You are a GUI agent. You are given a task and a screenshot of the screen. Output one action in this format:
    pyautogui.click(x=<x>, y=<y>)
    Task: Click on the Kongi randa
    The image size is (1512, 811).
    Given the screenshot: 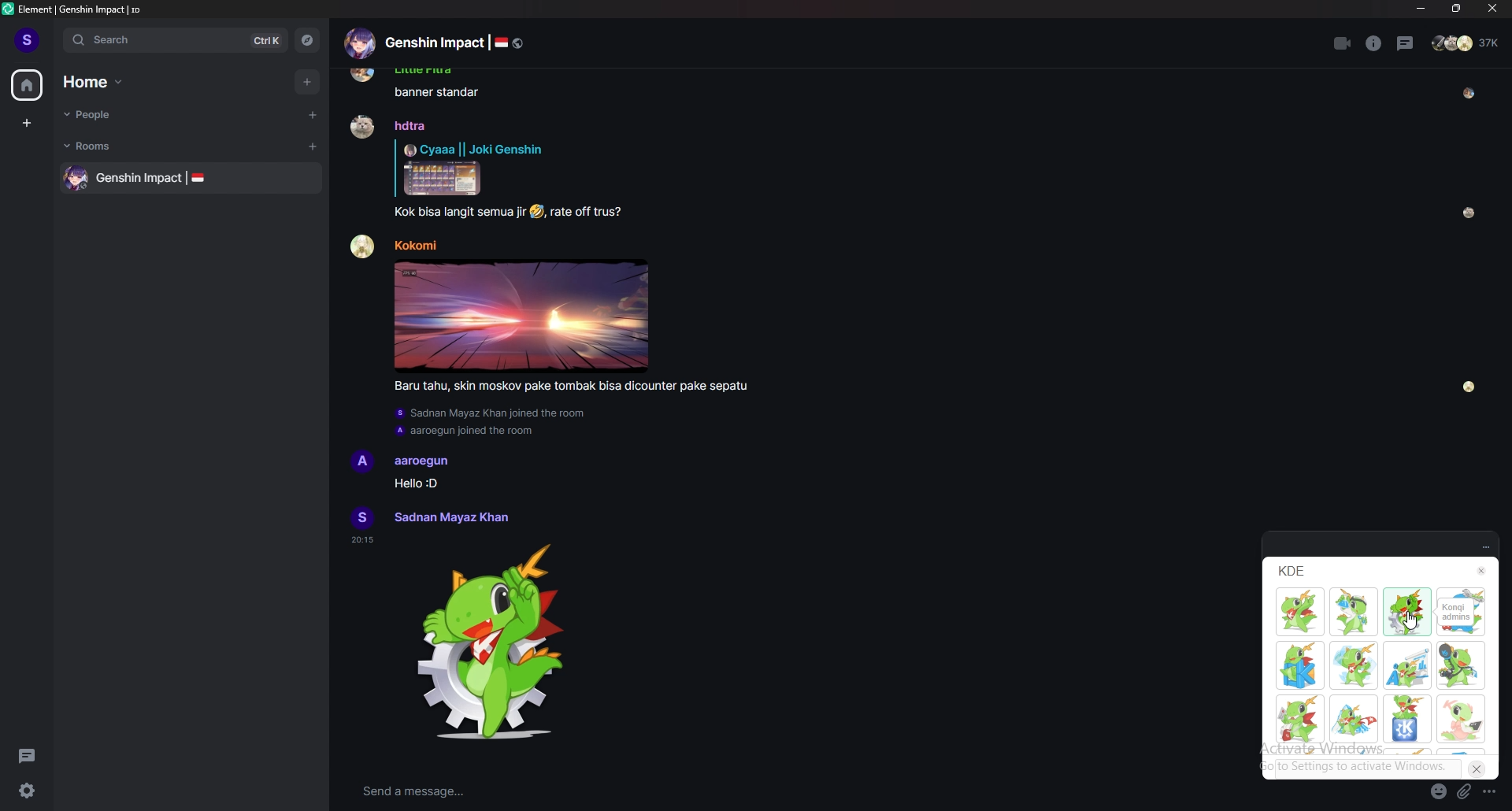 What is the action you would take?
    pyautogui.click(x=1354, y=719)
    